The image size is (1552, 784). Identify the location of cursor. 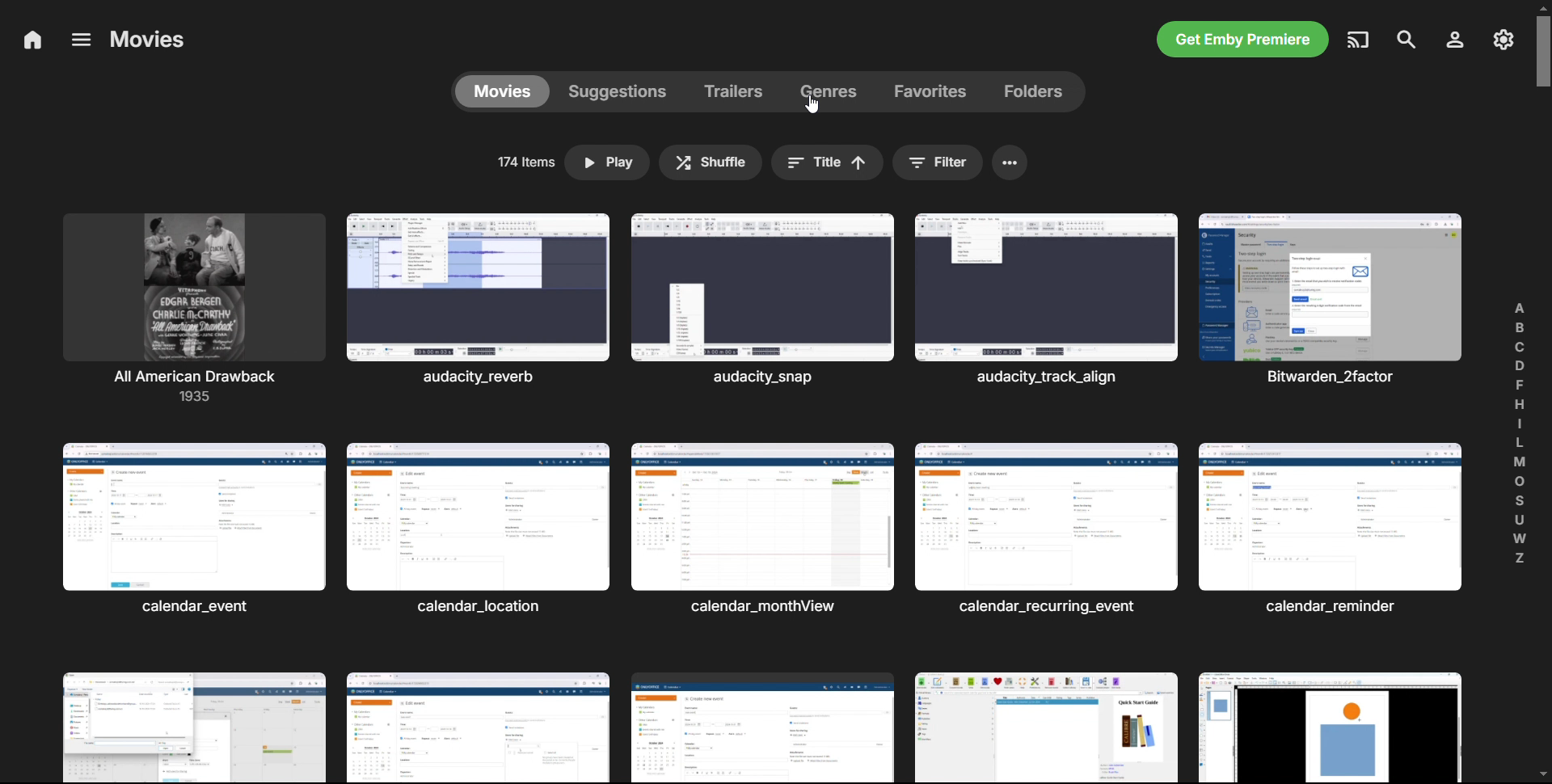
(814, 107).